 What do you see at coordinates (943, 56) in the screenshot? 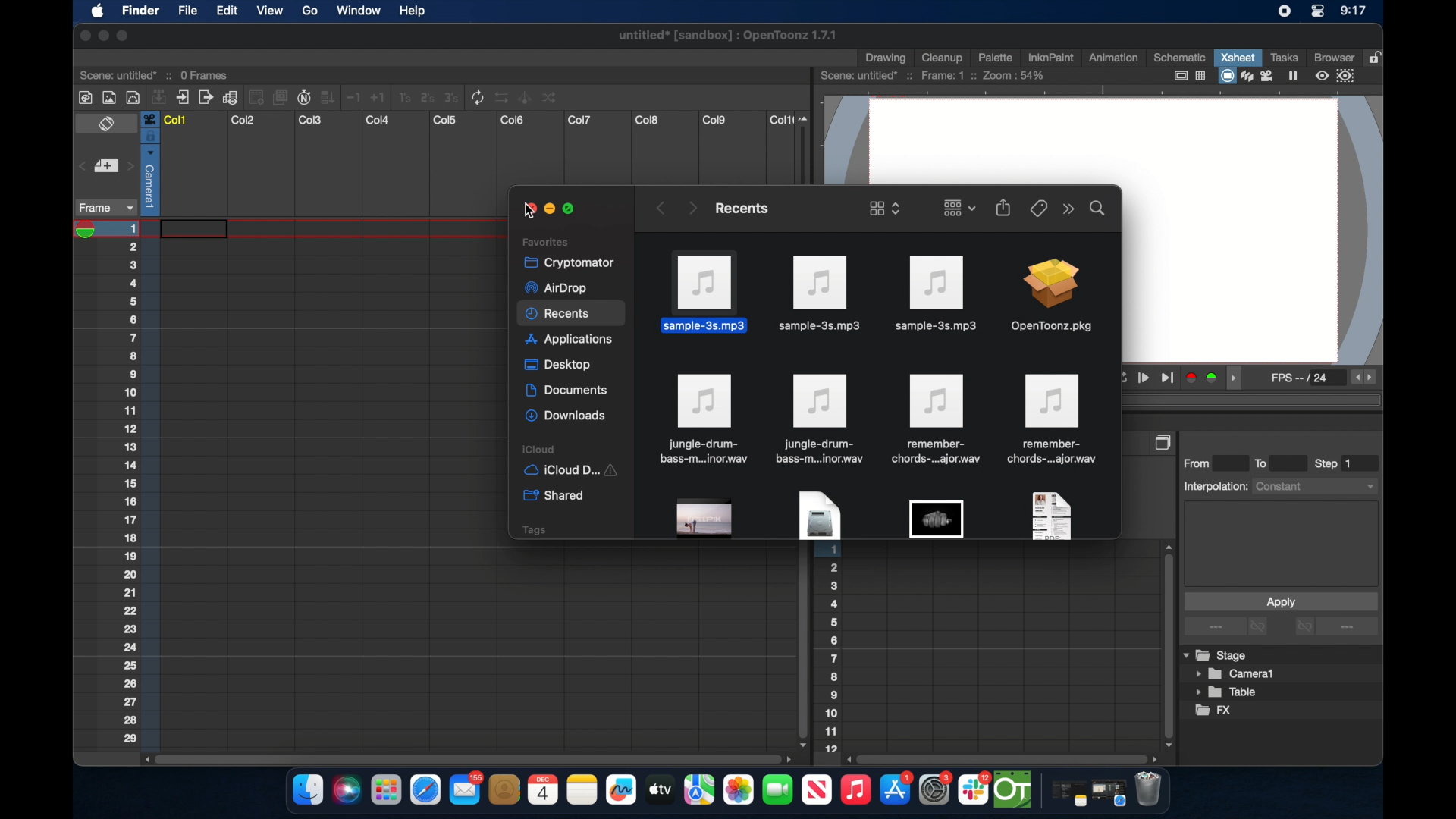
I see `cleanup` at bounding box center [943, 56].